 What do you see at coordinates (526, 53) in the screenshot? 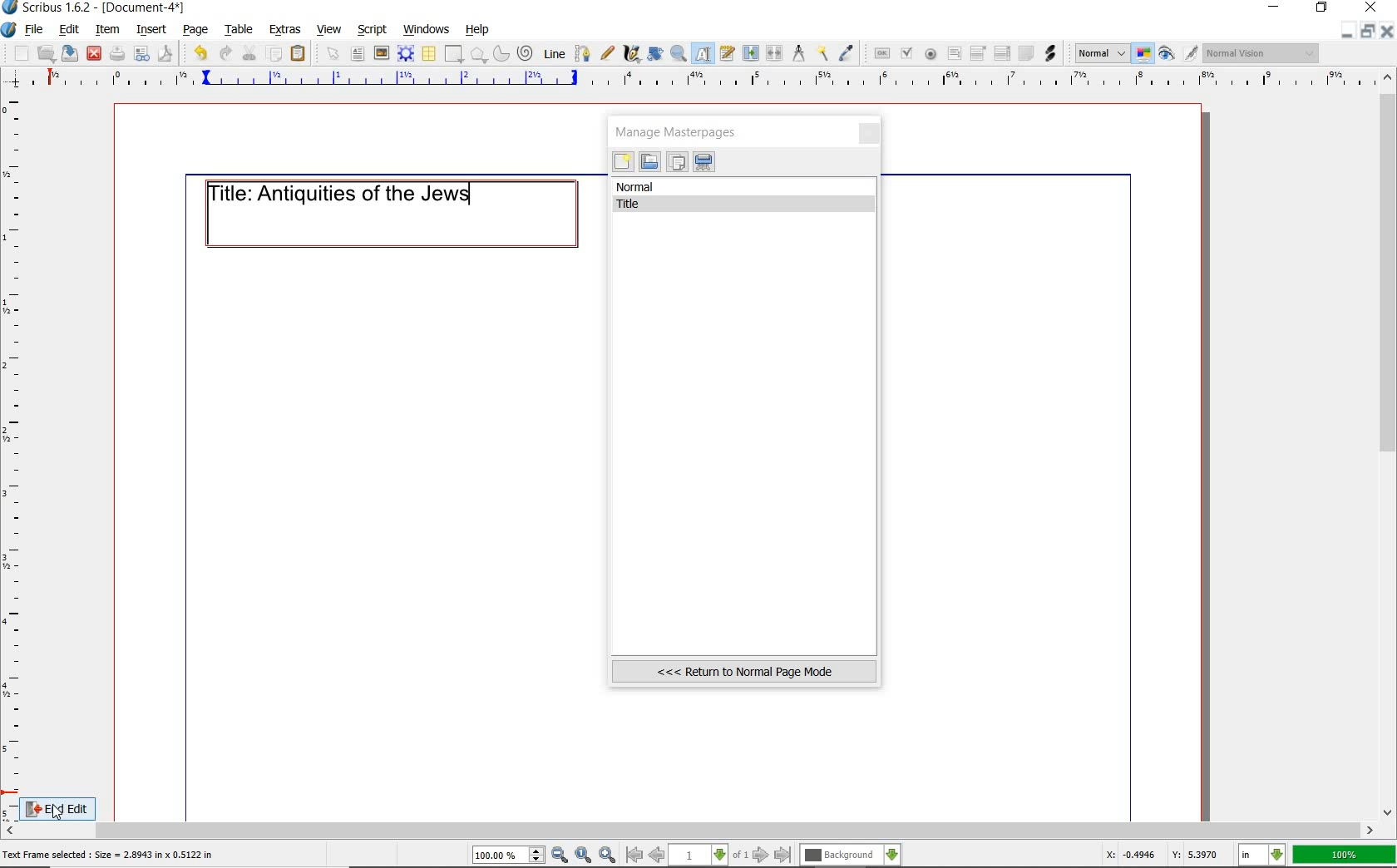
I see `spiral` at bounding box center [526, 53].